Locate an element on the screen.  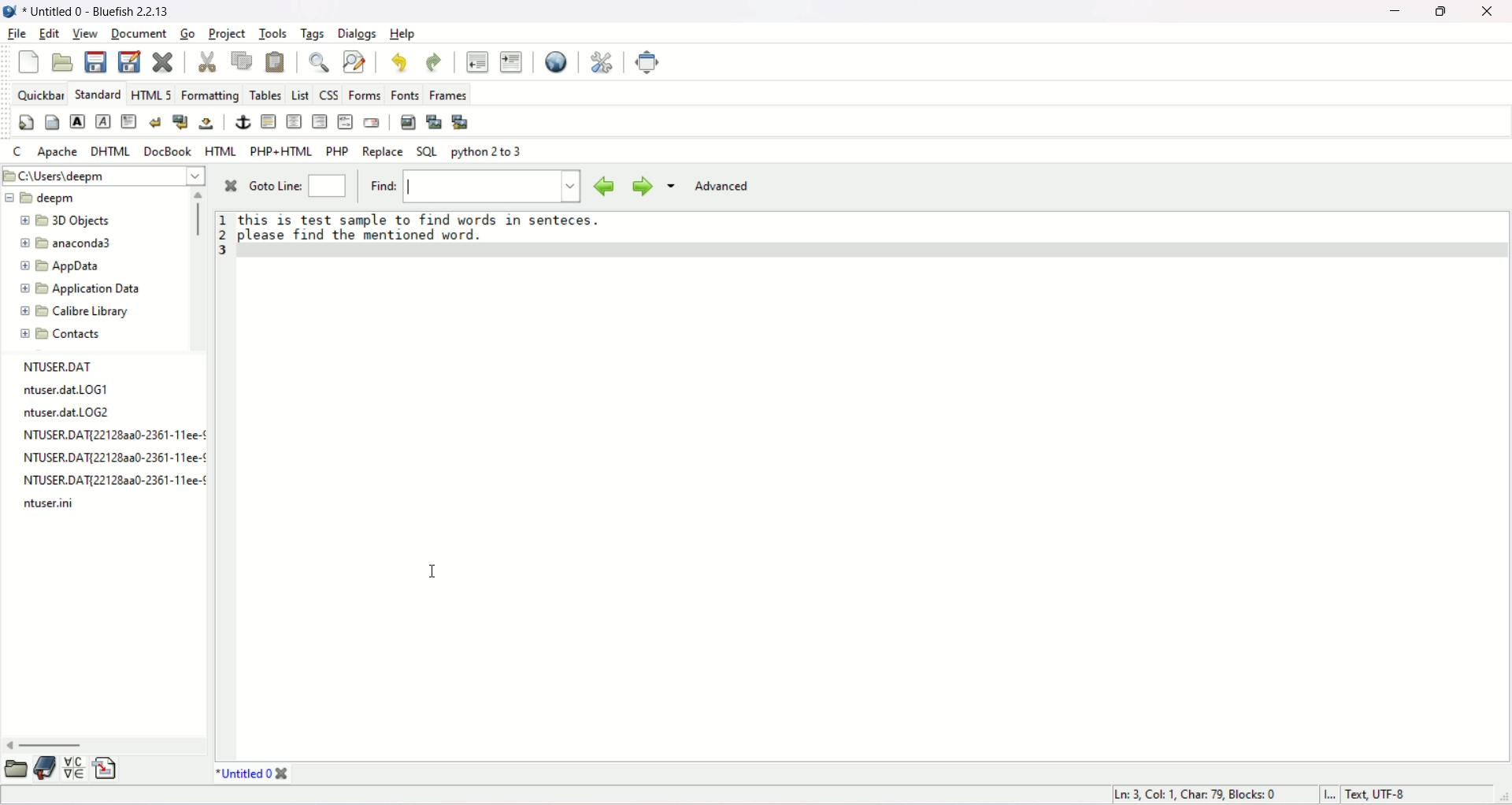
deepm is located at coordinates (41, 198).